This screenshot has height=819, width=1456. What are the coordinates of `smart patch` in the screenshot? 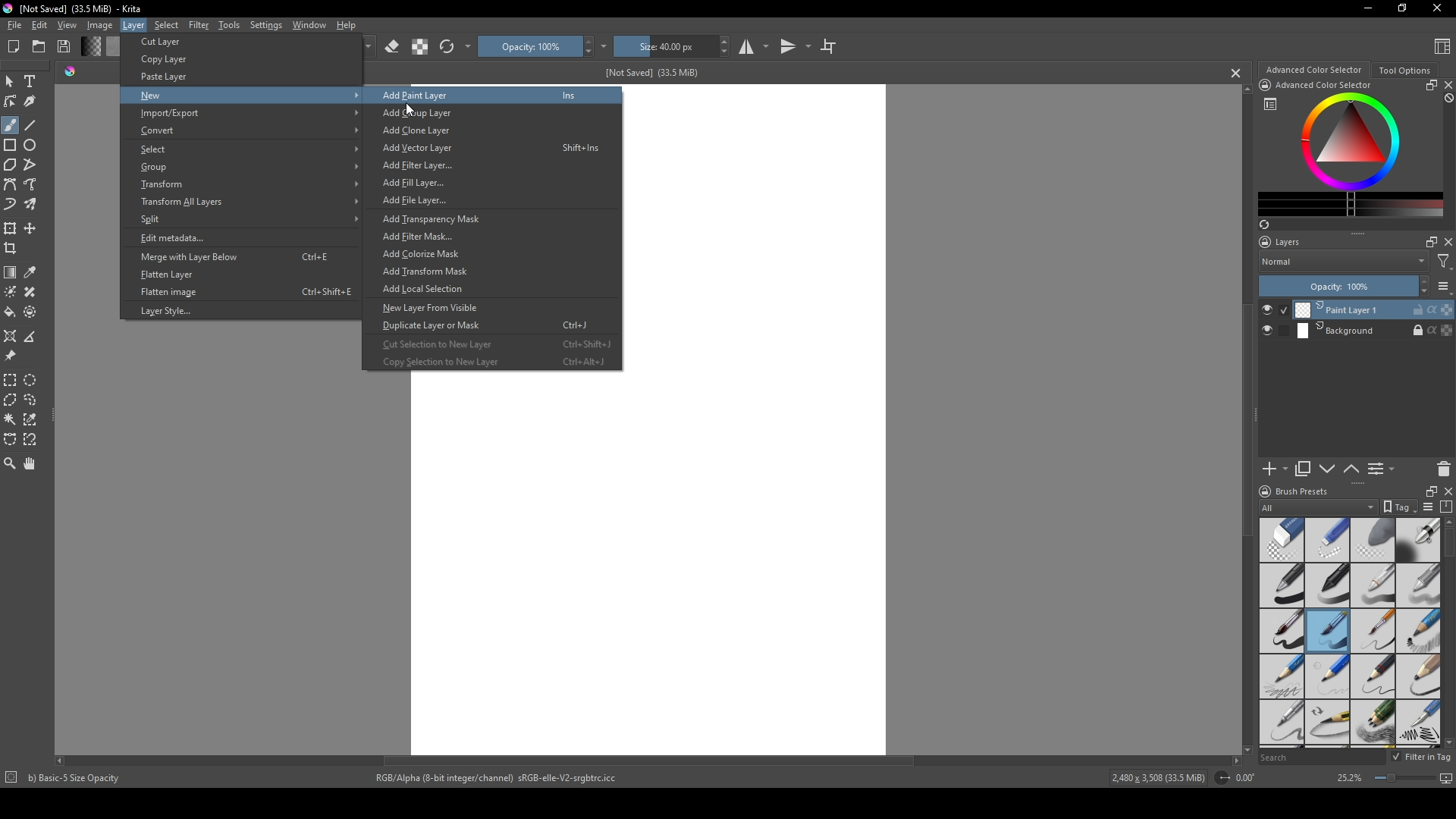 It's located at (33, 292).